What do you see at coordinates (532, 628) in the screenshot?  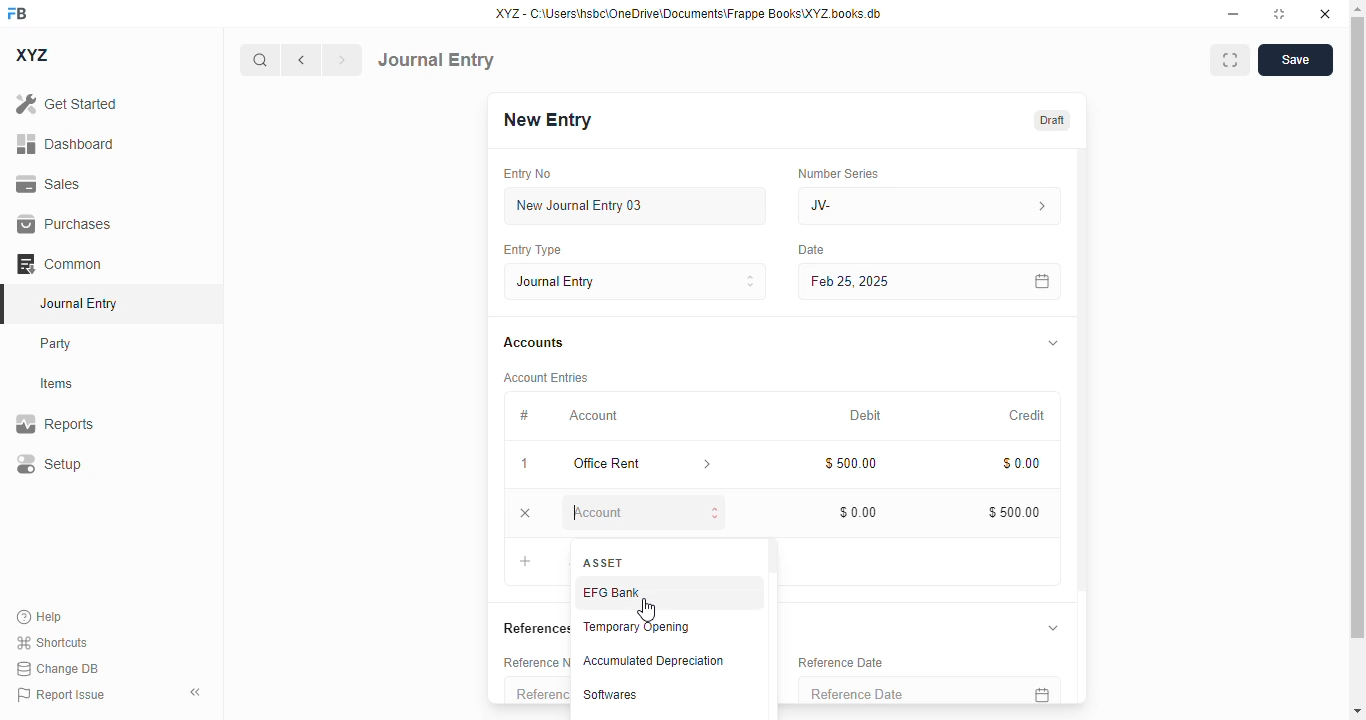 I see `references` at bounding box center [532, 628].